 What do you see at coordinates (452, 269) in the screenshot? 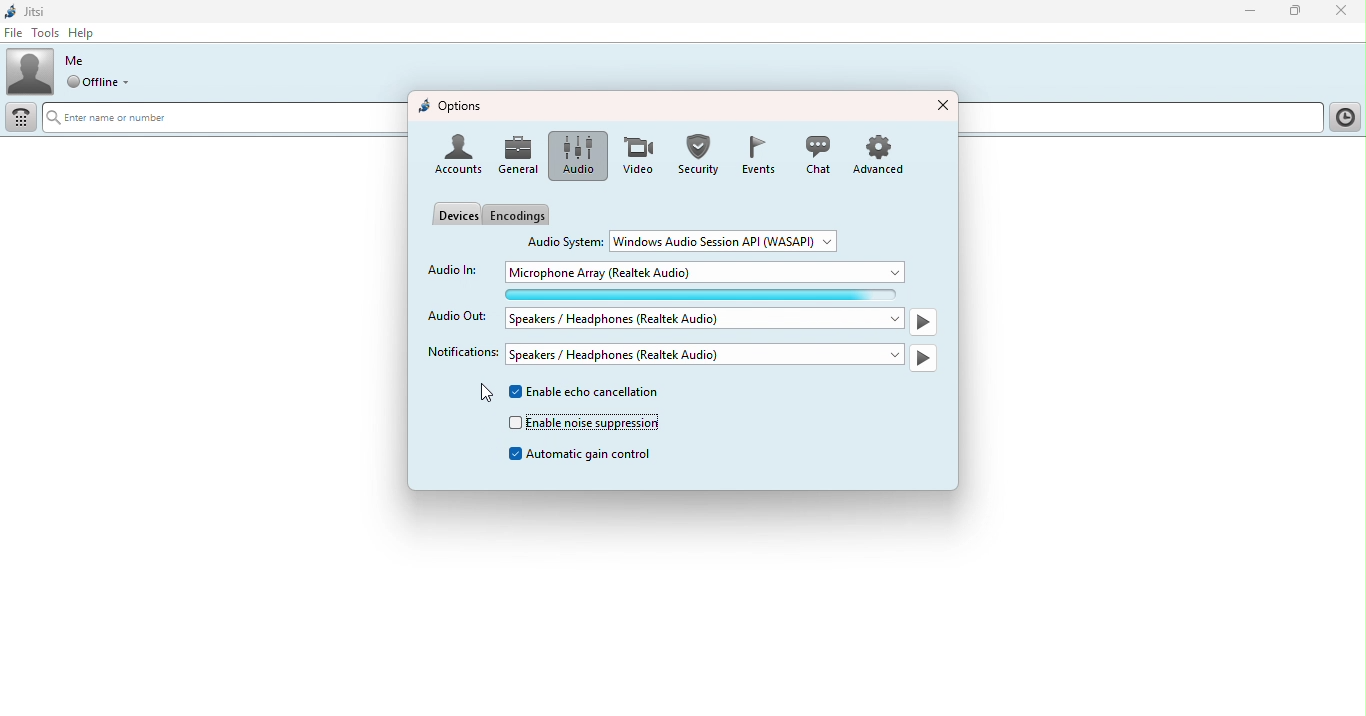
I see `Audio in` at bounding box center [452, 269].